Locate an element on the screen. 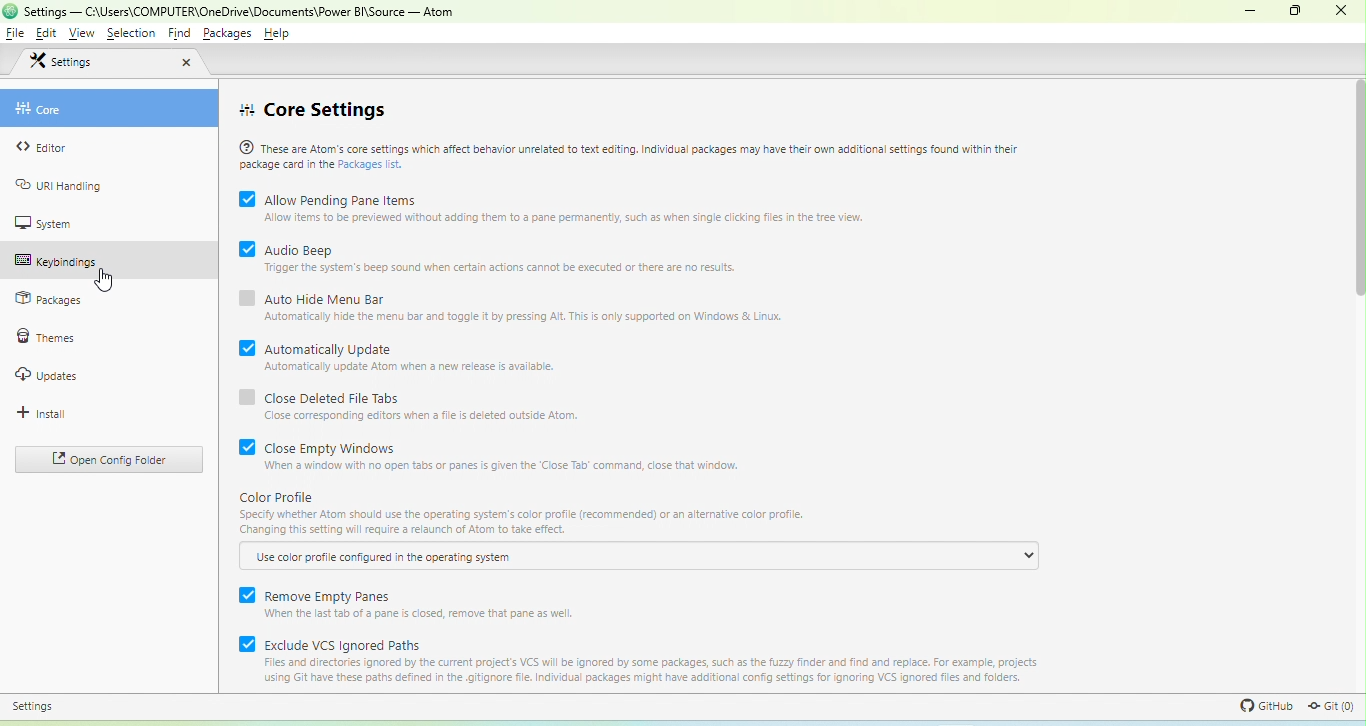  use color profile configured in the operating system is located at coordinates (386, 557).